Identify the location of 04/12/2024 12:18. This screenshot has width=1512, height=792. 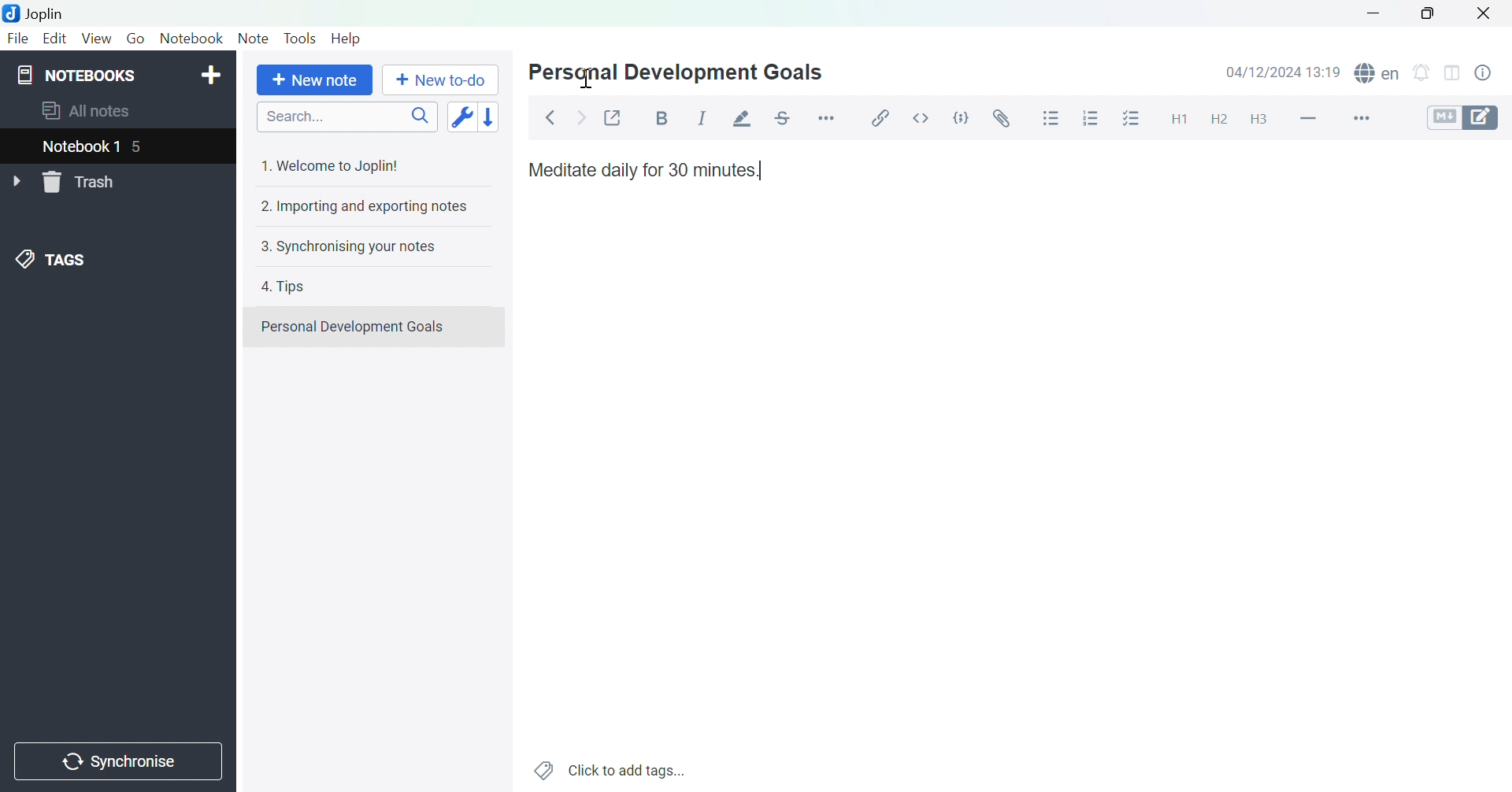
(1284, 72).